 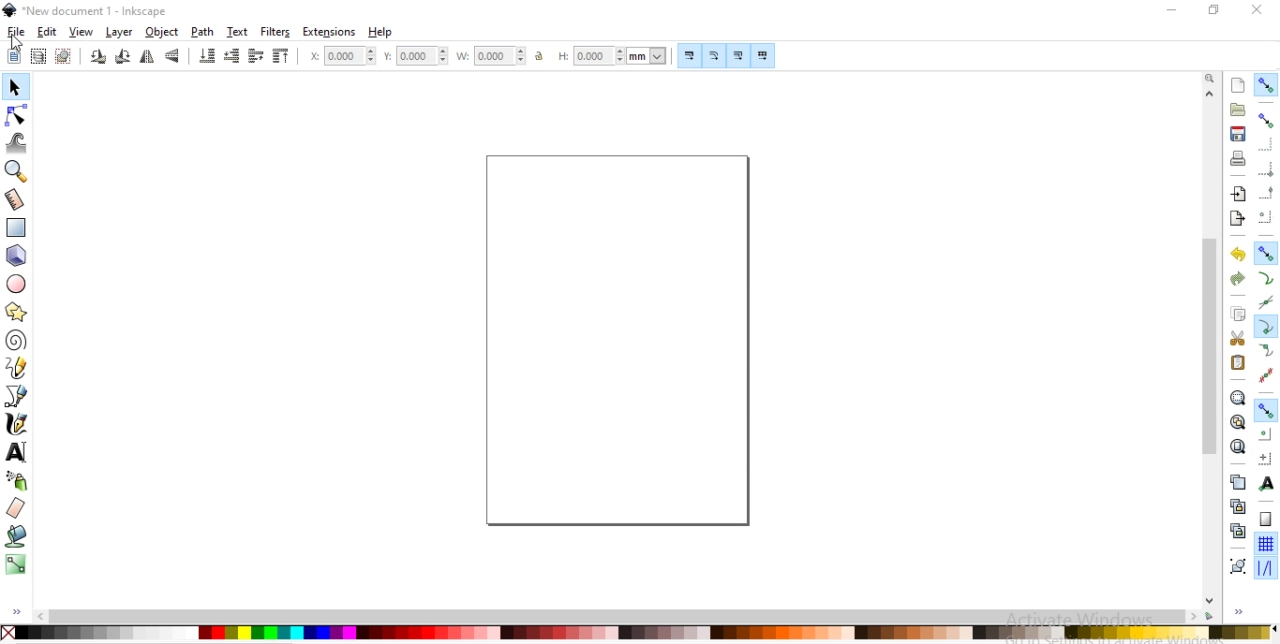 What do you see at coordinates (150, 57) in the screenshot?
I see `flip horizontally` at bounding box center [150, 57].